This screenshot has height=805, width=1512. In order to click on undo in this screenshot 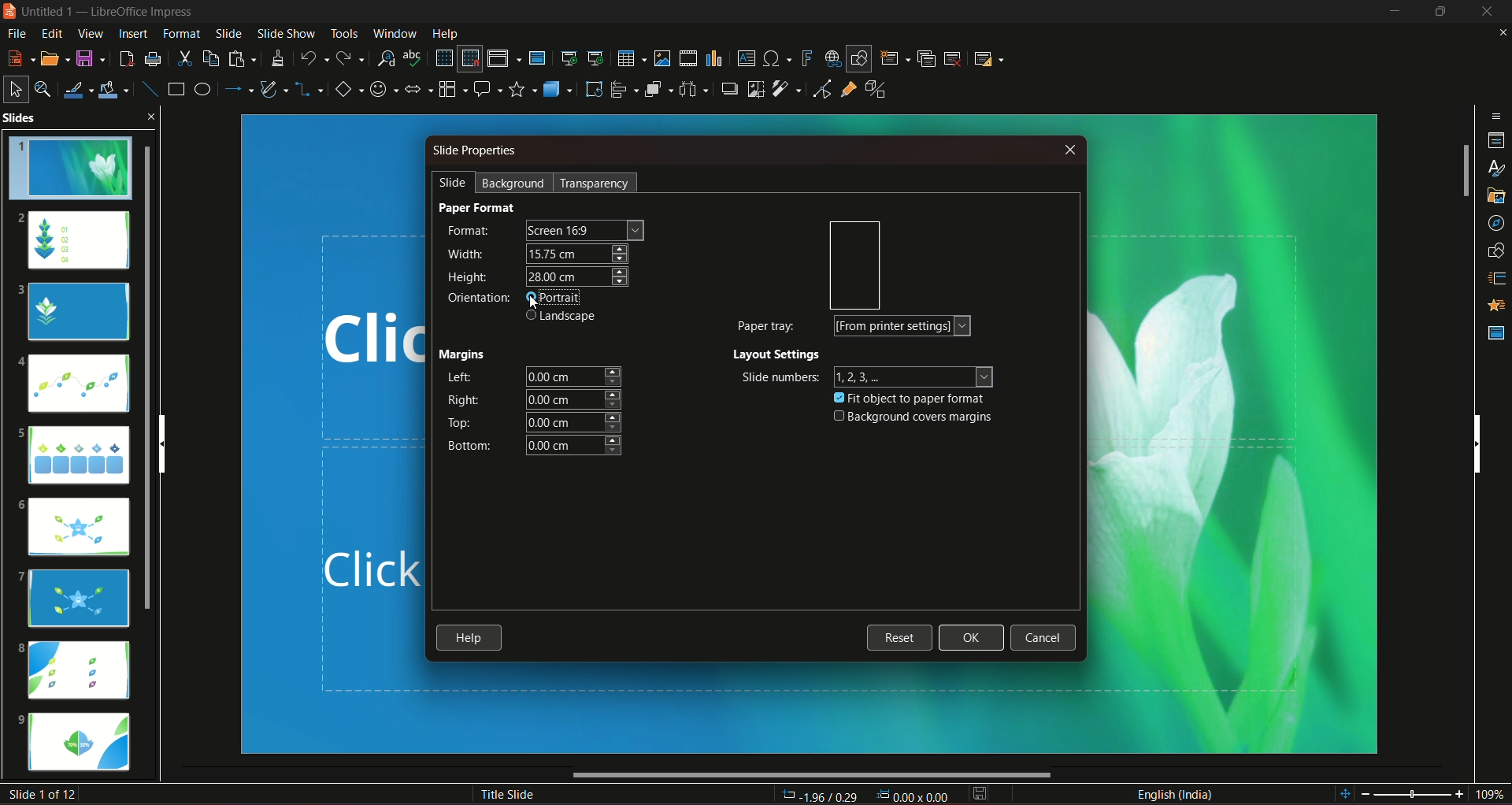, I will do `click(314, 57)`.